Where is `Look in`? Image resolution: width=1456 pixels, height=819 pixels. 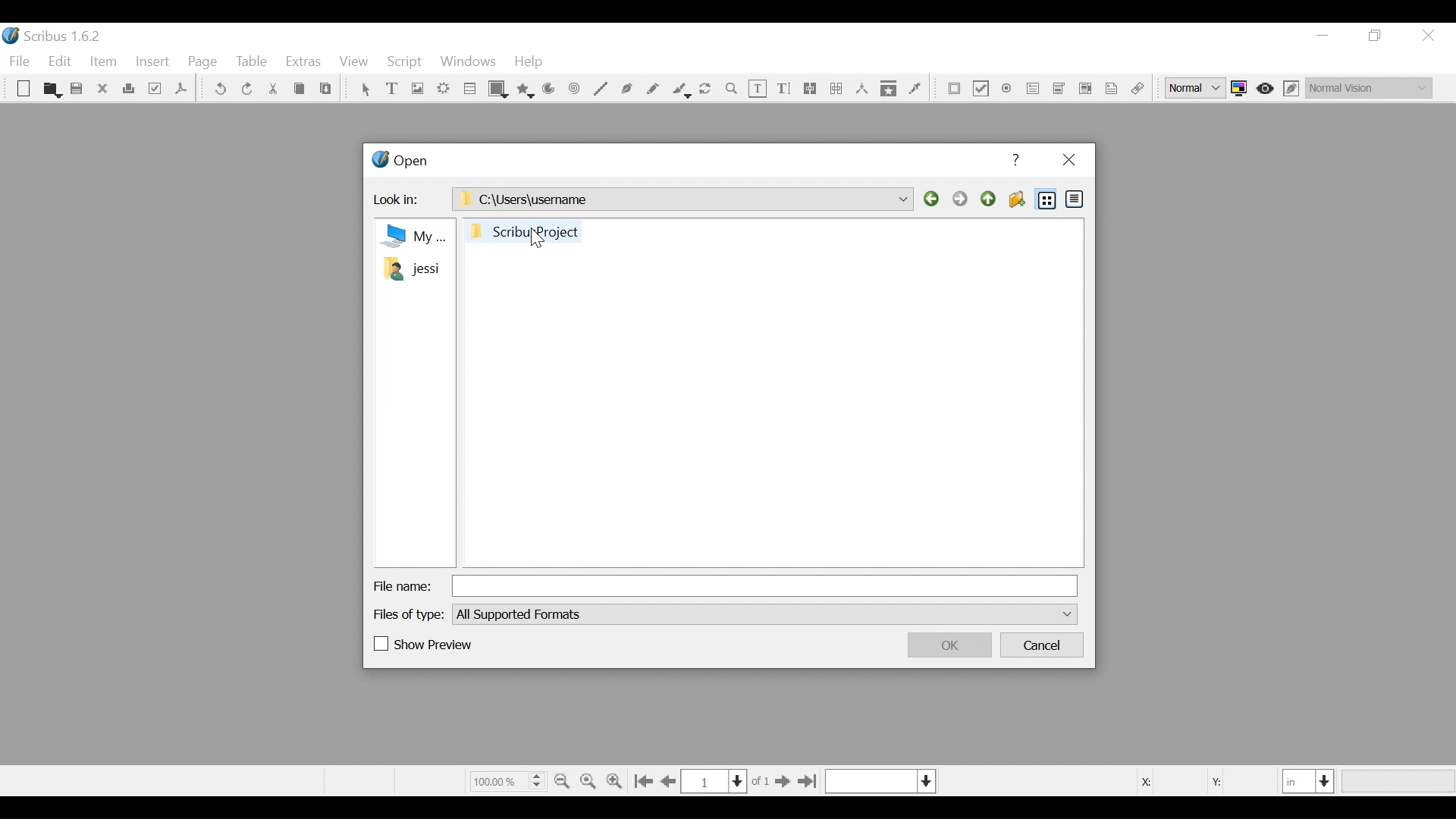
Look in is located at coordinates (402, 202).